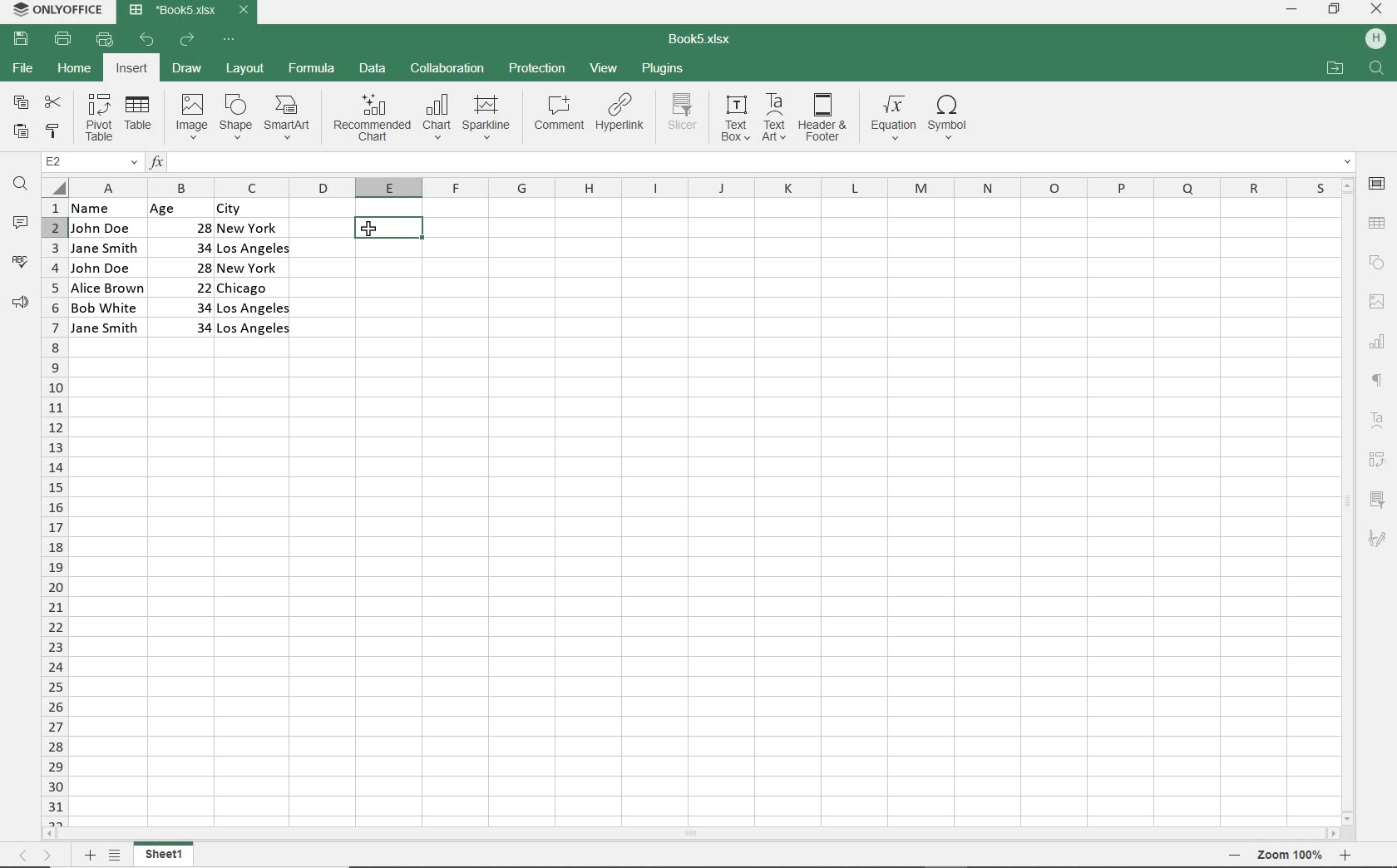 The width and height of the screenshot is (1397, 868). What do you see at coordinates (823, 118) in the screenshot?
I see `HEADER & FOOTER` at bounding box center [823, 118].